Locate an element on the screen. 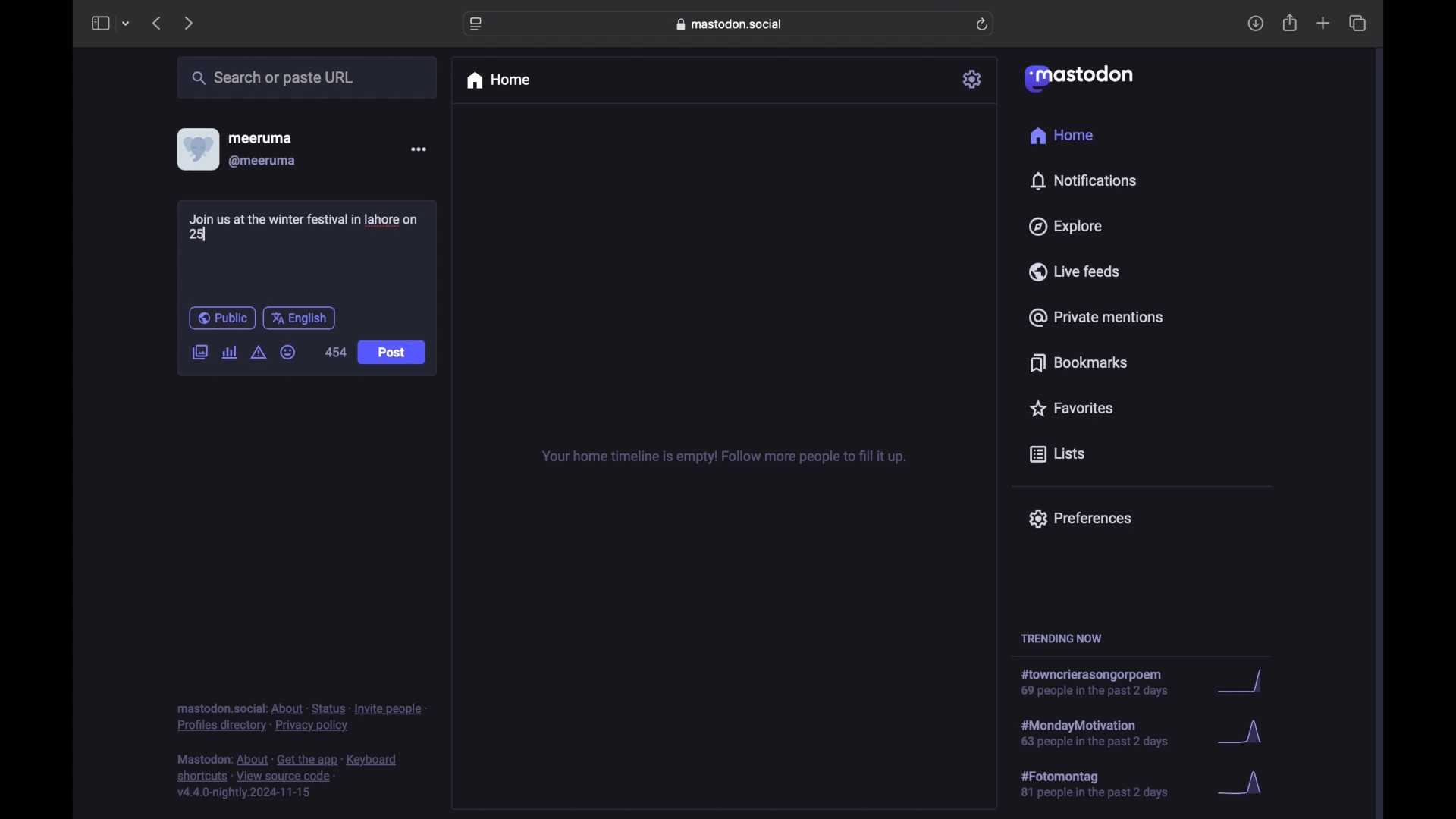  add  poll is located at coordinates (229, 352).